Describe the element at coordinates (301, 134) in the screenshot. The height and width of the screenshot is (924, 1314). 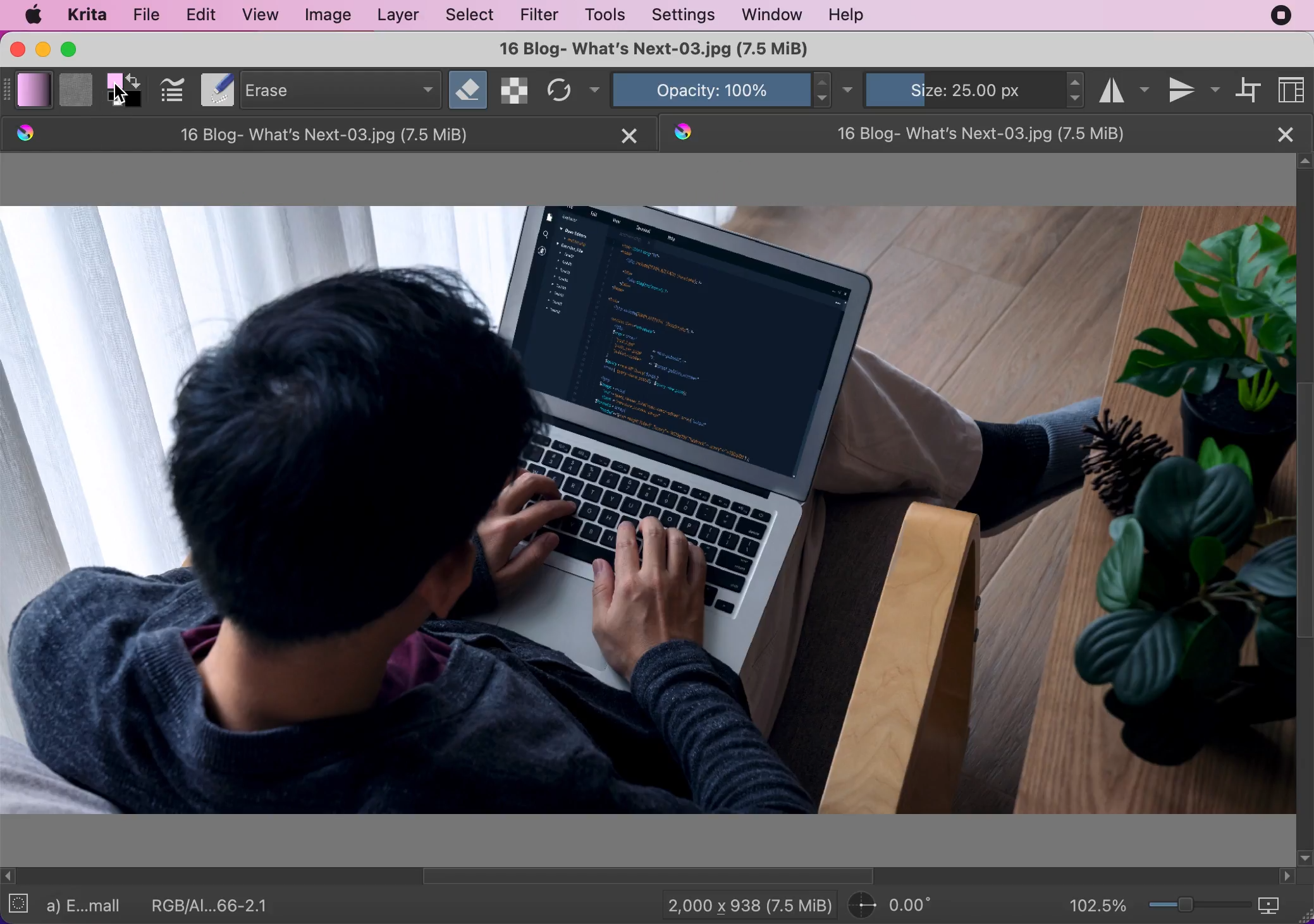
I see `16 Blog- What's Next-03.jpg (7.5 MiB)` at that location.